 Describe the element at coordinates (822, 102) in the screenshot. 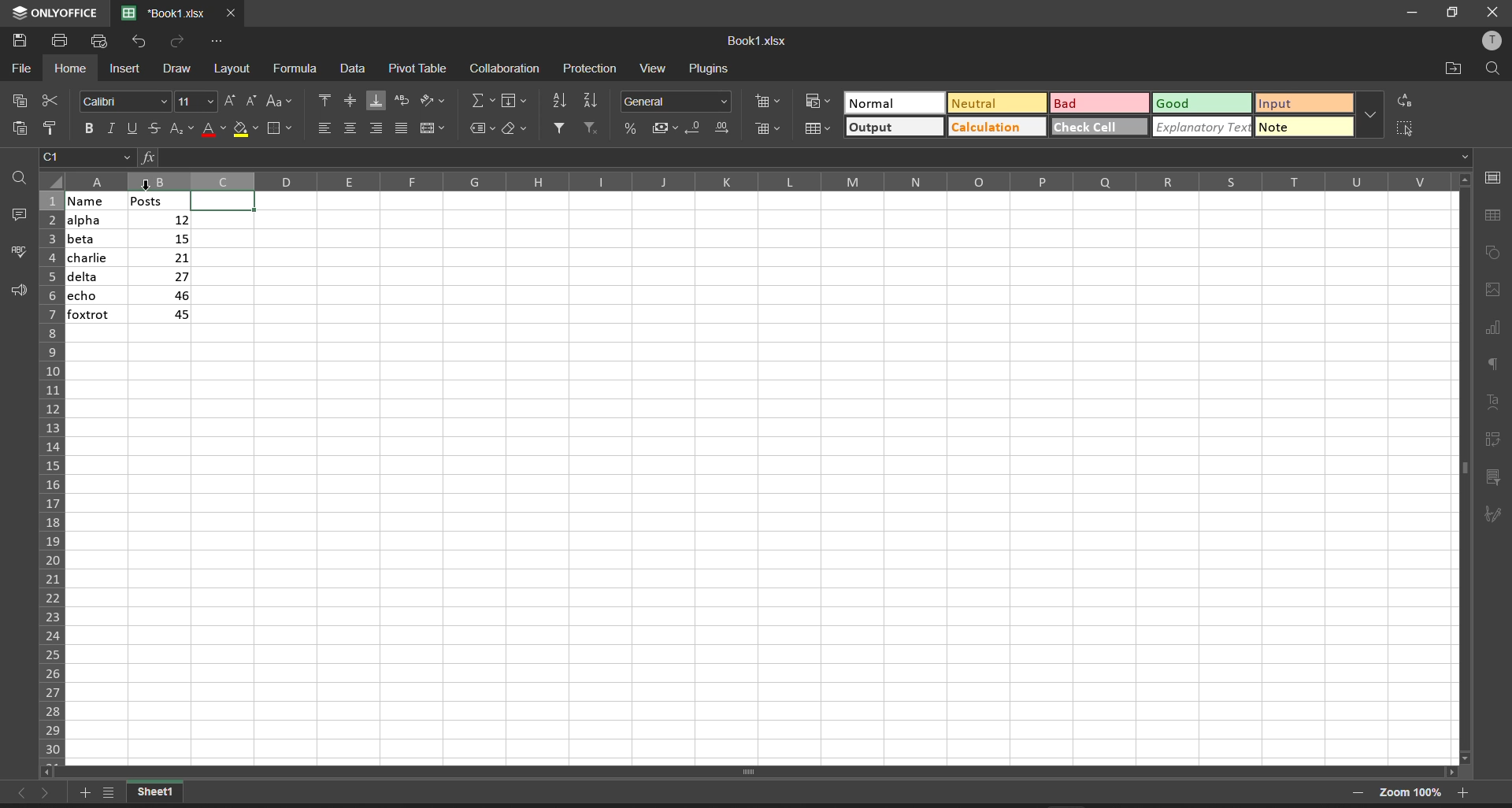

I see `conditional format` at that location.